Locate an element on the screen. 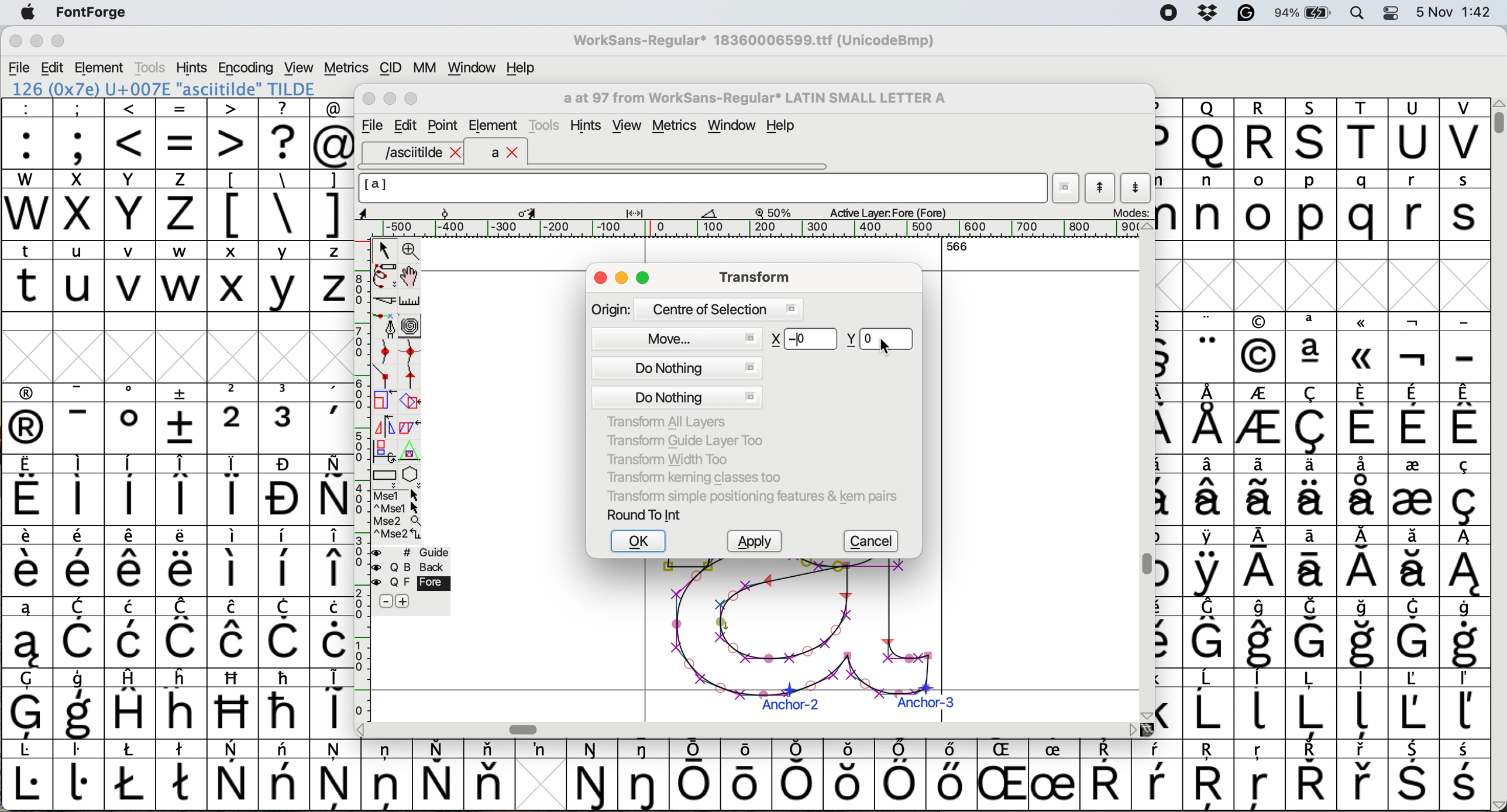 The width and height of the screenshot is (1507, 812). symbol is located at coordinates (1157, 775).